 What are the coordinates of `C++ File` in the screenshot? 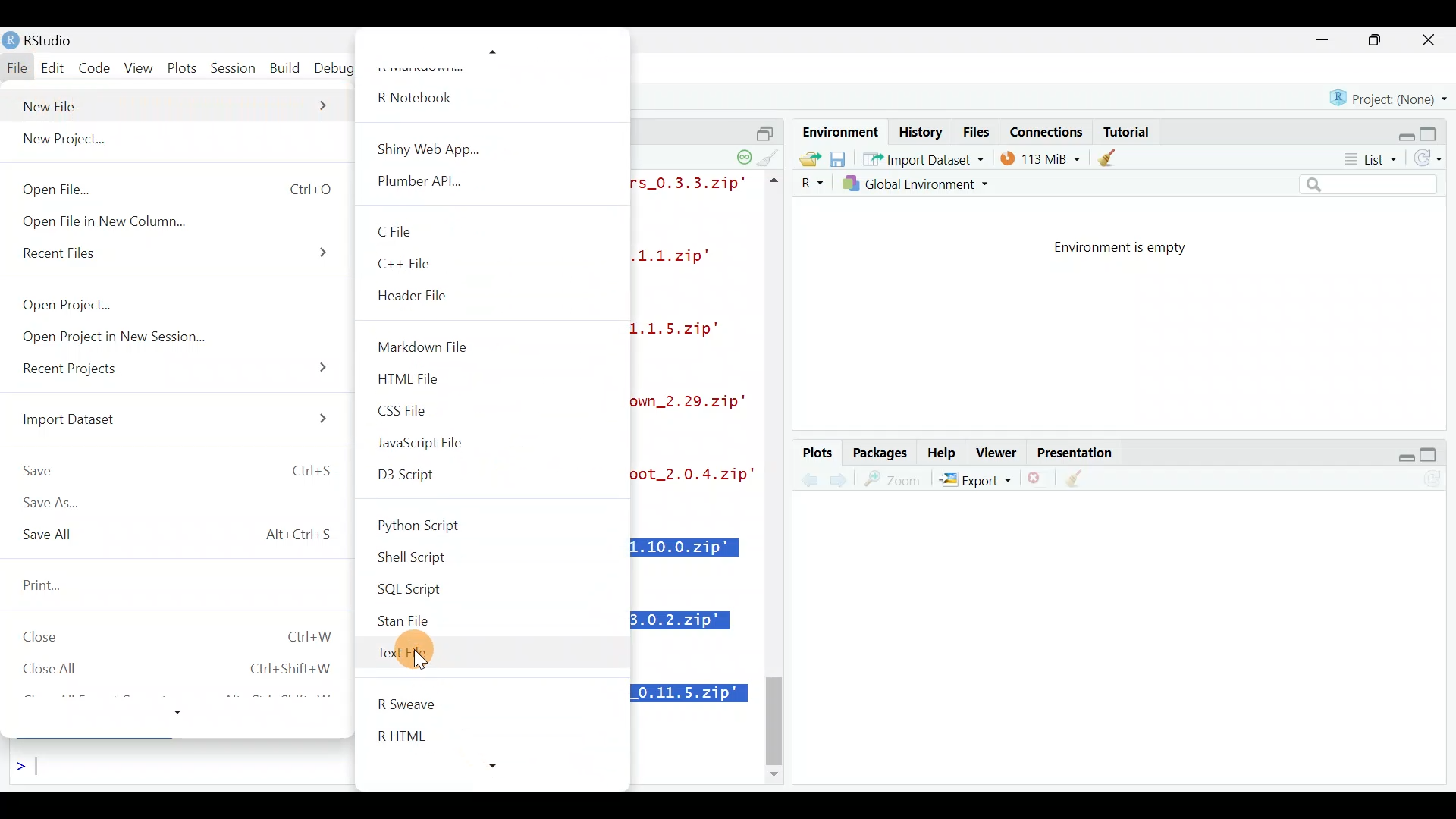 It's located at (419, 265).